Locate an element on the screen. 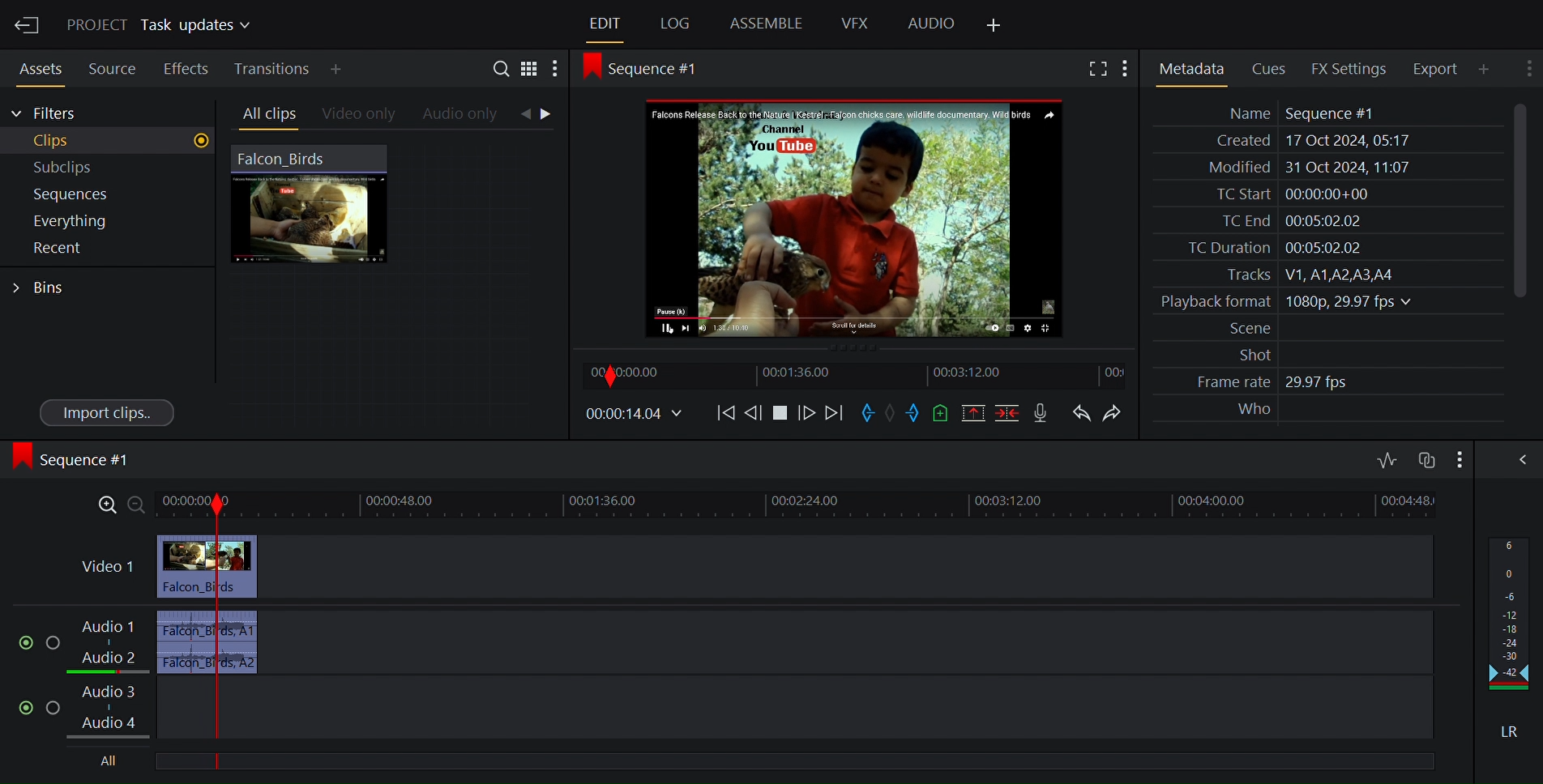 Image resolution: width=1543 pixels, height=784 pixels. Subclips is located at coordinates (104, 166).